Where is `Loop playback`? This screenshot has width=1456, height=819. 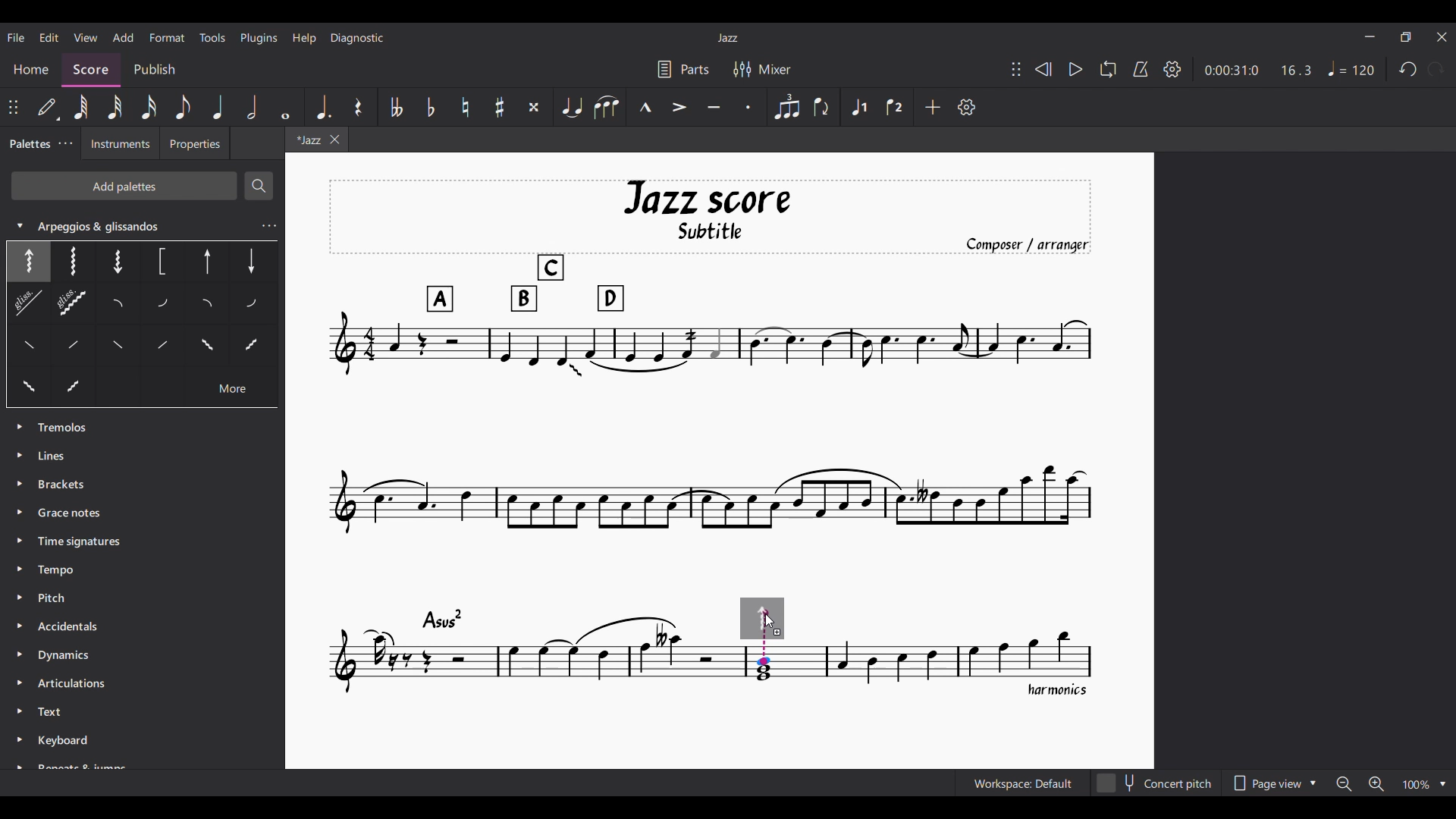
Loop playback is located at coordinates (1109, 69).